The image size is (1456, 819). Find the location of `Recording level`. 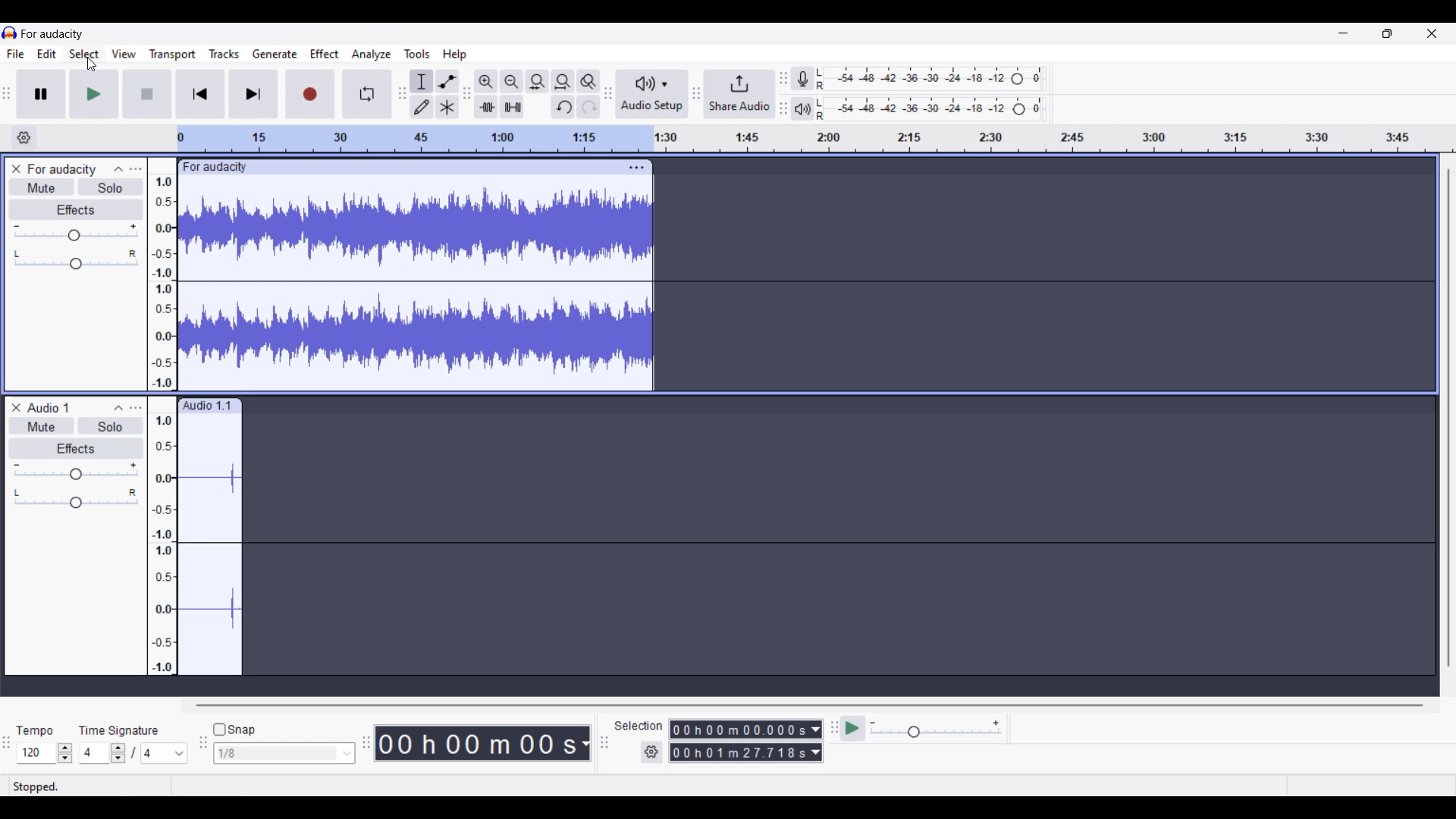

Recording level is located at coordinates (931, 79).